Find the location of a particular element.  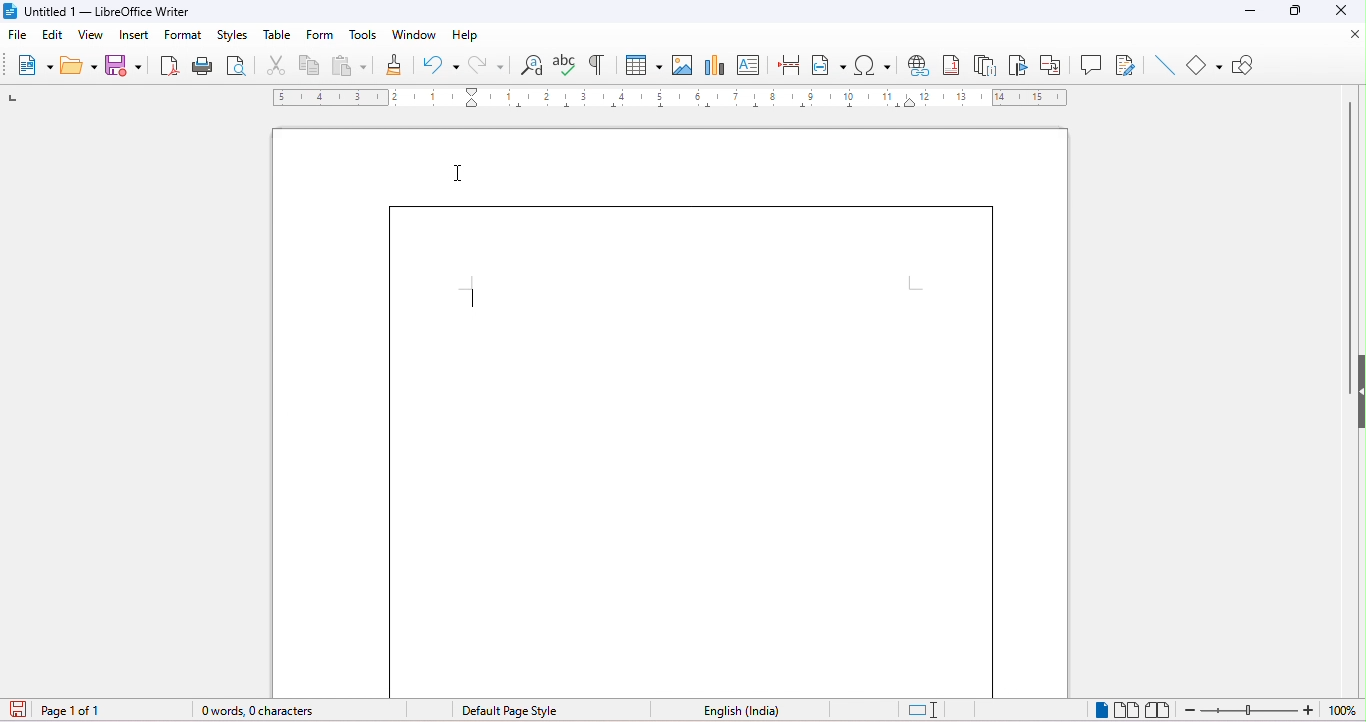

check spelling is located at coordinates (561, 62).